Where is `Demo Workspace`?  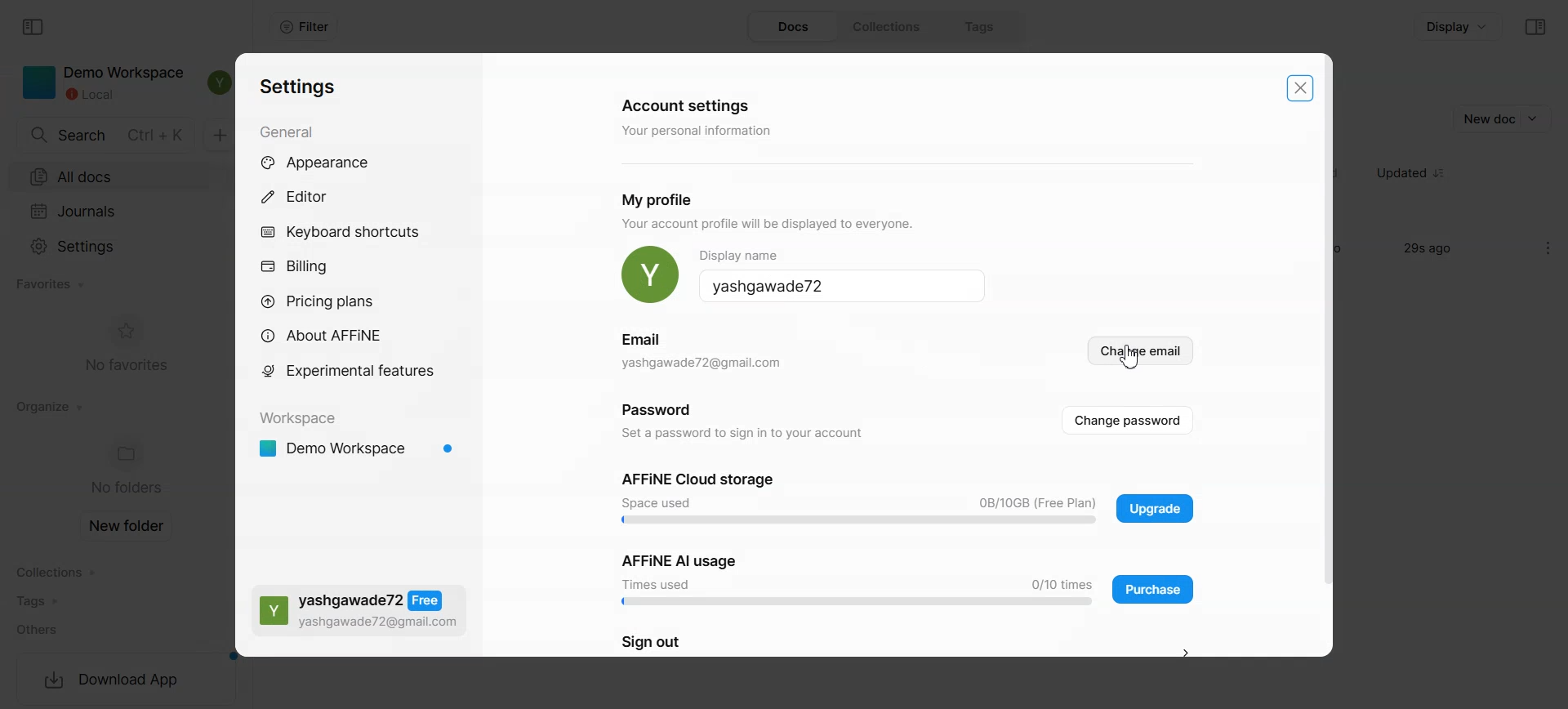
Demo Workspace is located at coordinates (357, 448).